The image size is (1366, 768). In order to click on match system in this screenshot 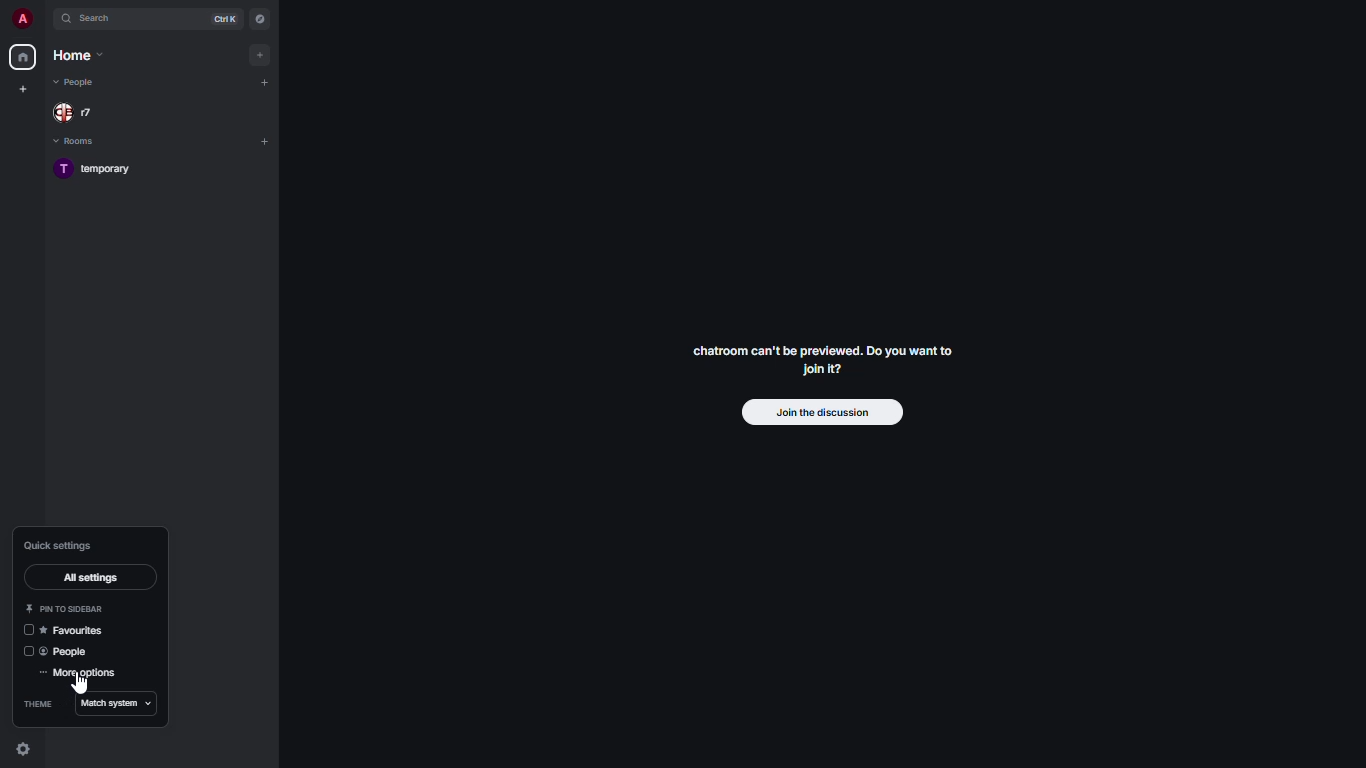, I will do `click(118, 704)`.